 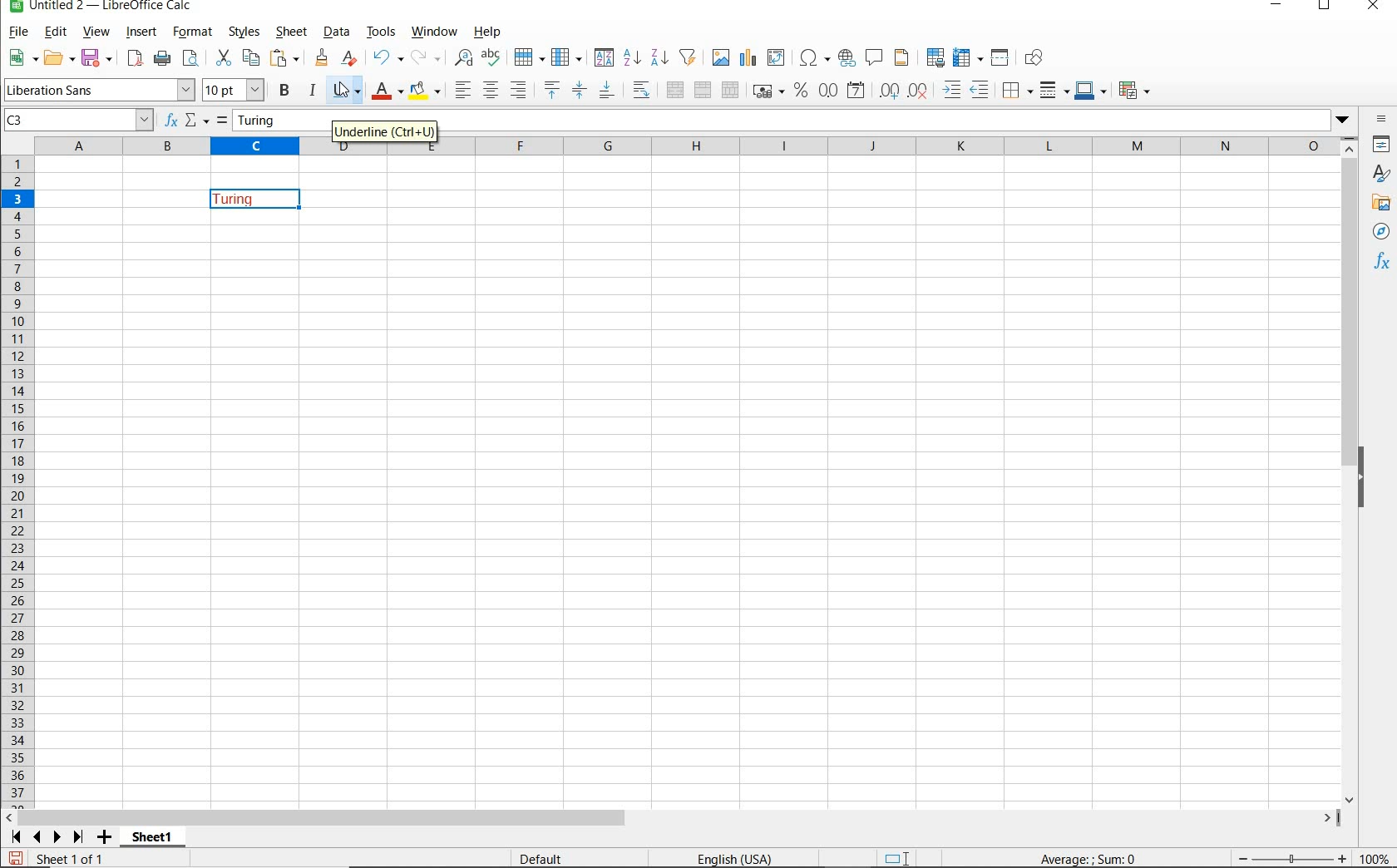 I want to click on SCROLLBAR, so click(x=1352, y=470).